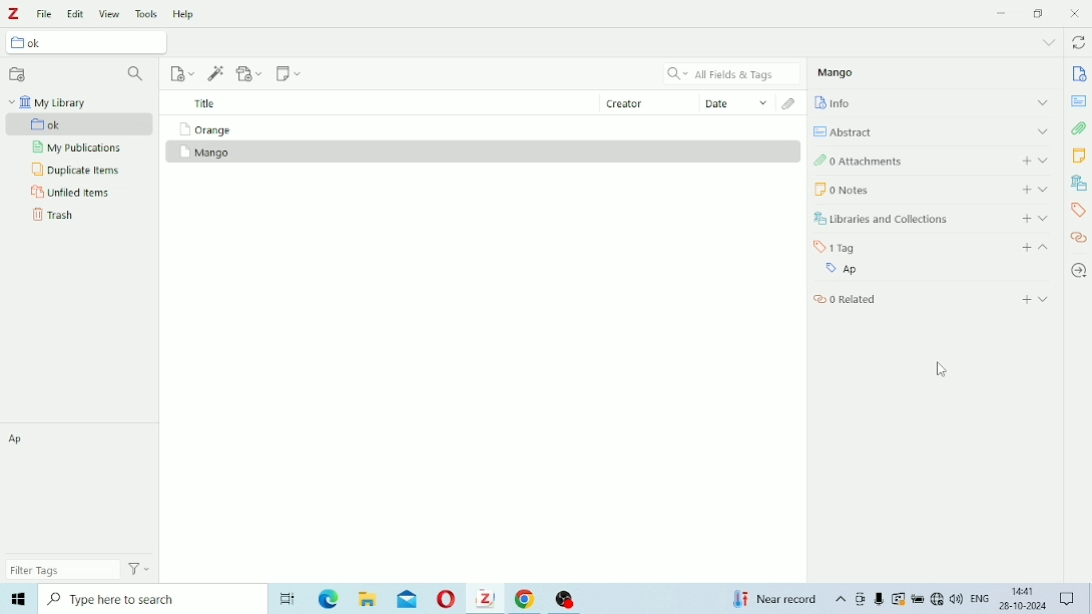 The width and height of the screenshot is (1092, 614). Describe the element at coordinates (45, 14) in the screenshot. I see `File` at that location.